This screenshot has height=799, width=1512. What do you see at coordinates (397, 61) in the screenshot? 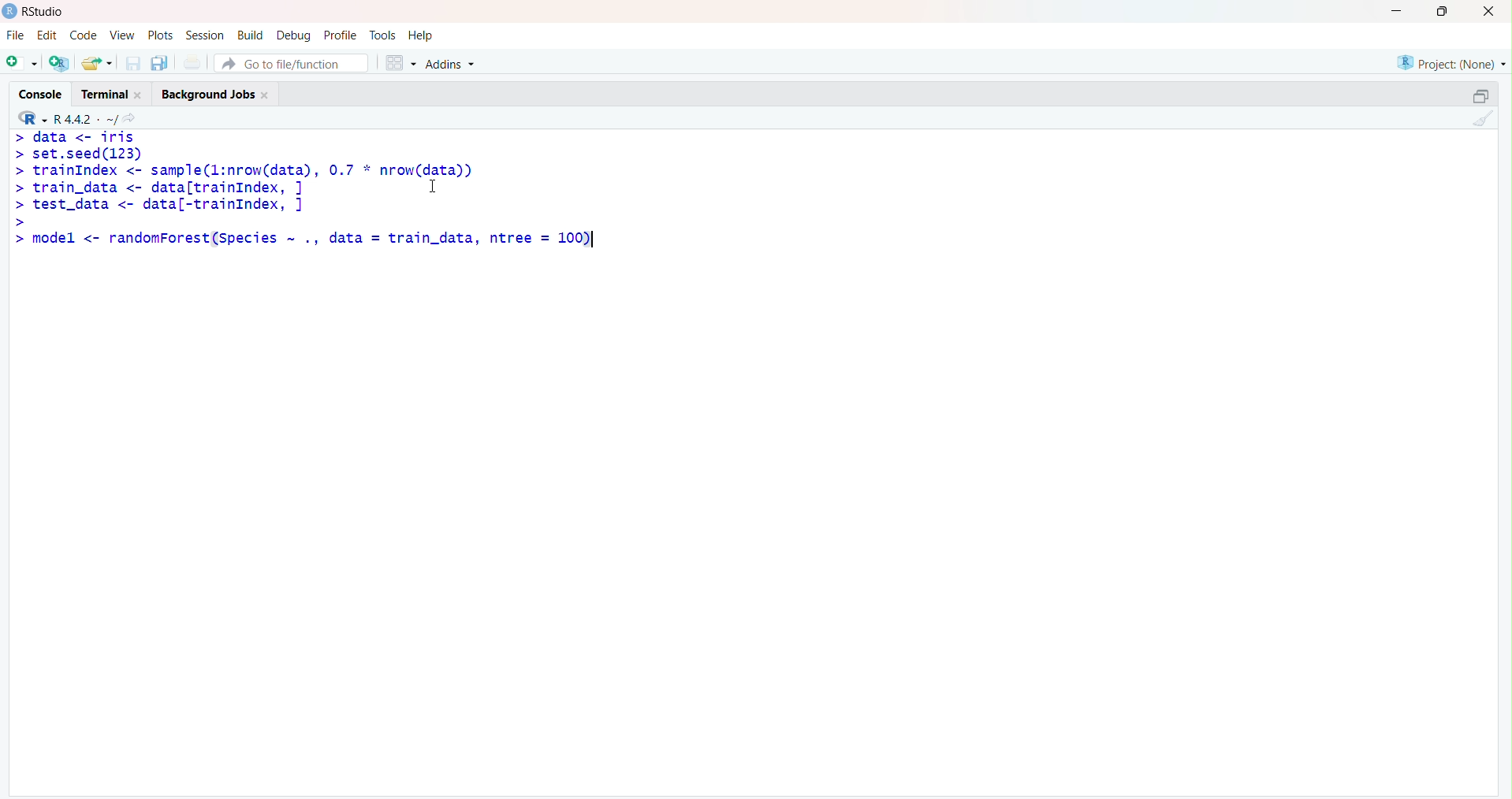
I see `Workspace panes` at bounding box center [397, 61].